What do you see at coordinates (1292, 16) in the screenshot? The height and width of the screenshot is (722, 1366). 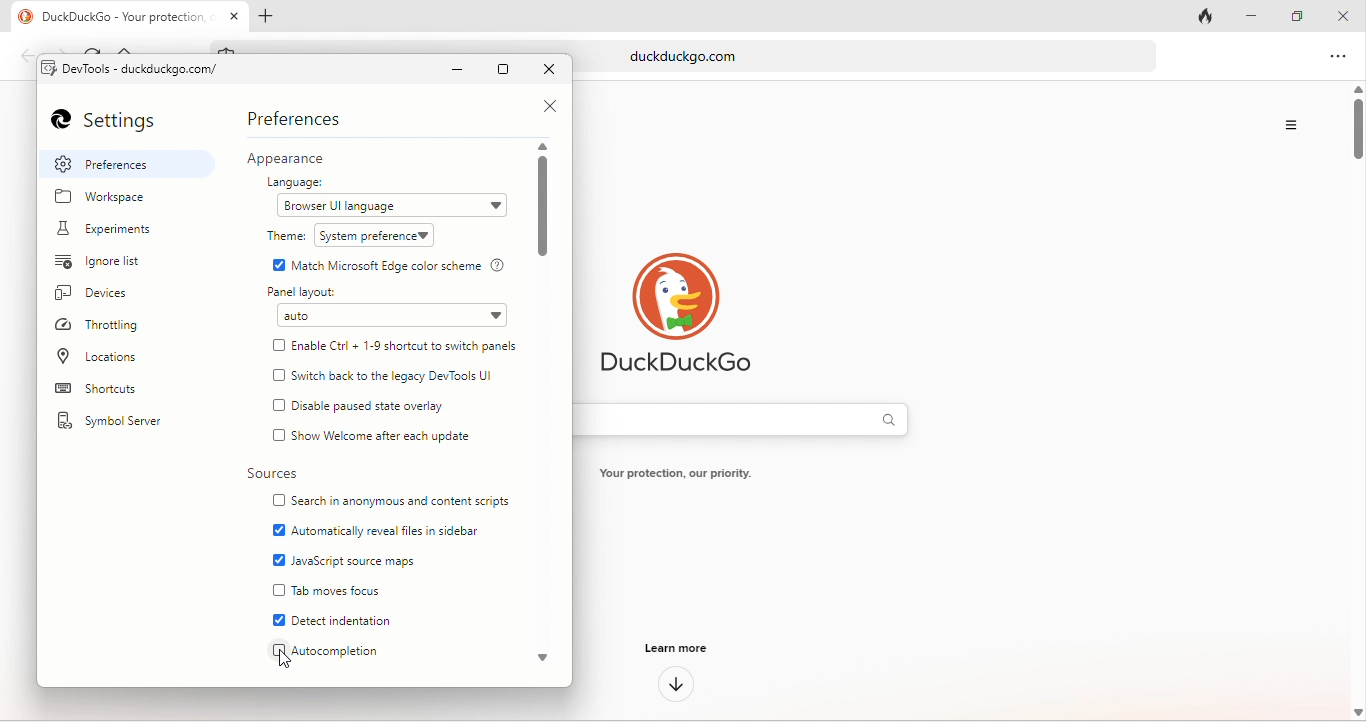 I see `maximize` at bounding box center [1292, 16].